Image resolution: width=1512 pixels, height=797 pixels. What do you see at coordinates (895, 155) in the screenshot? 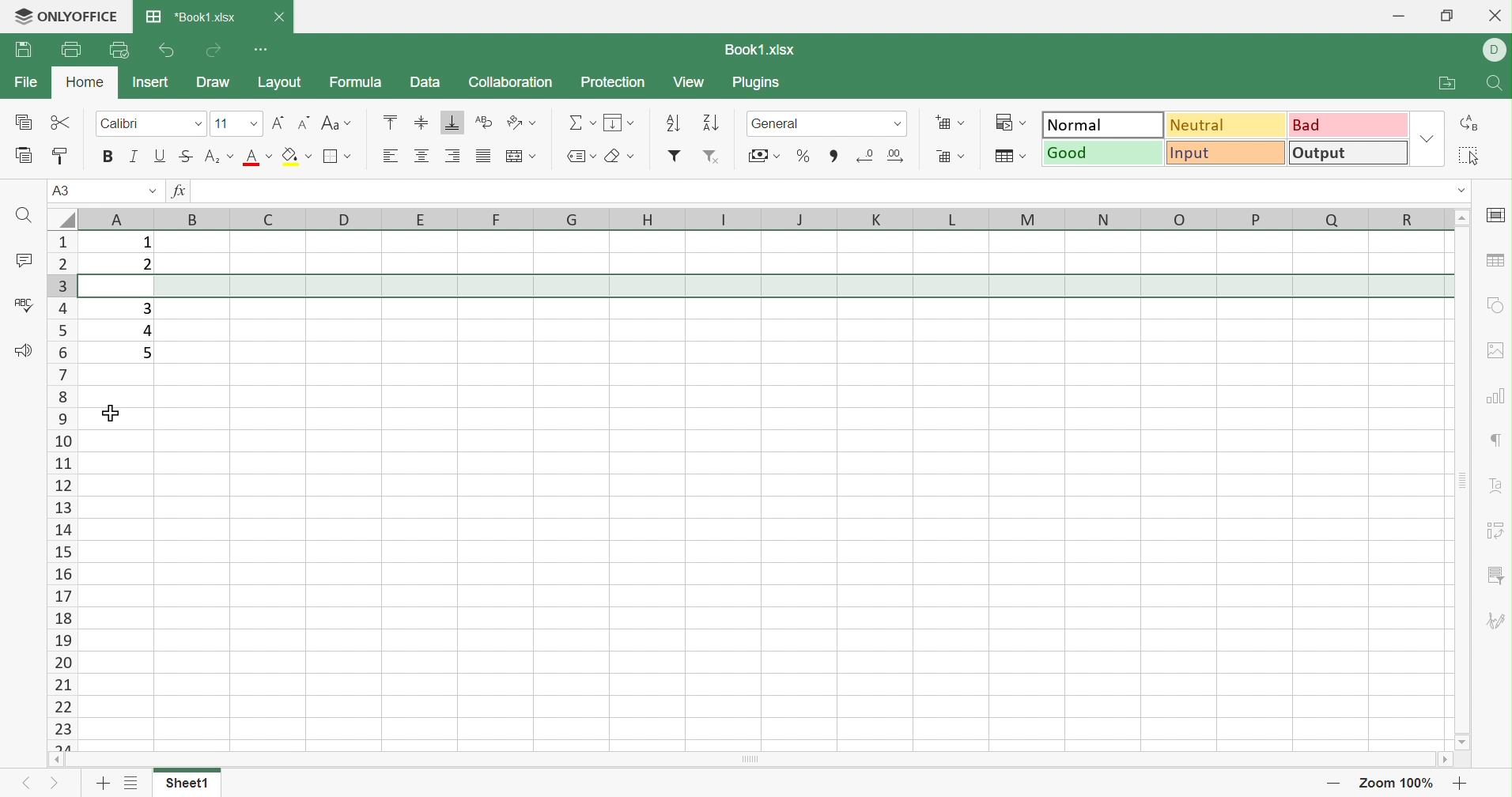
I see `Increment cells` at bounding box center [895, 155].